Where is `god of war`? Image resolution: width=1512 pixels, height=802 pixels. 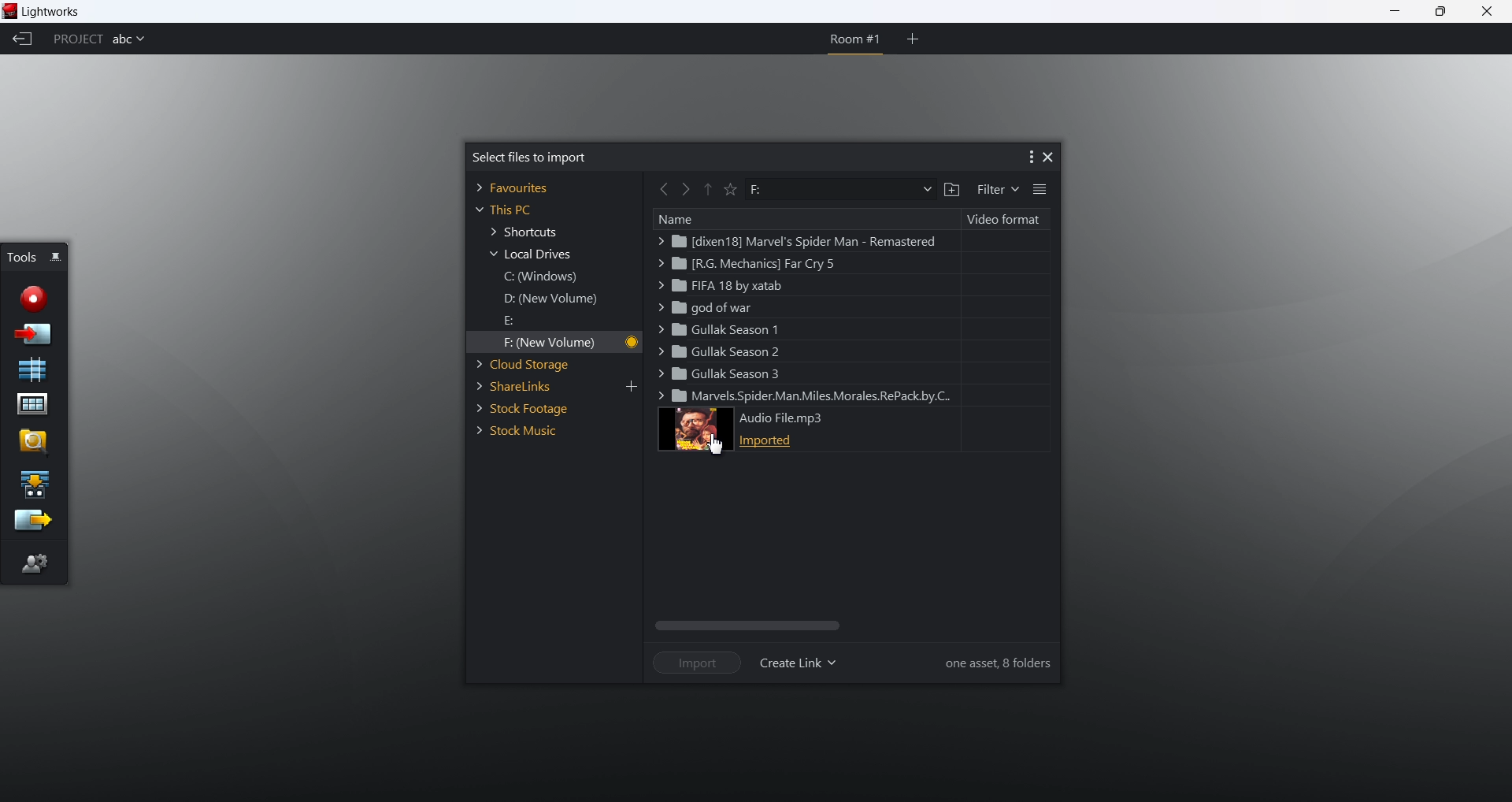
god of war is located at coordinates (706, 307).